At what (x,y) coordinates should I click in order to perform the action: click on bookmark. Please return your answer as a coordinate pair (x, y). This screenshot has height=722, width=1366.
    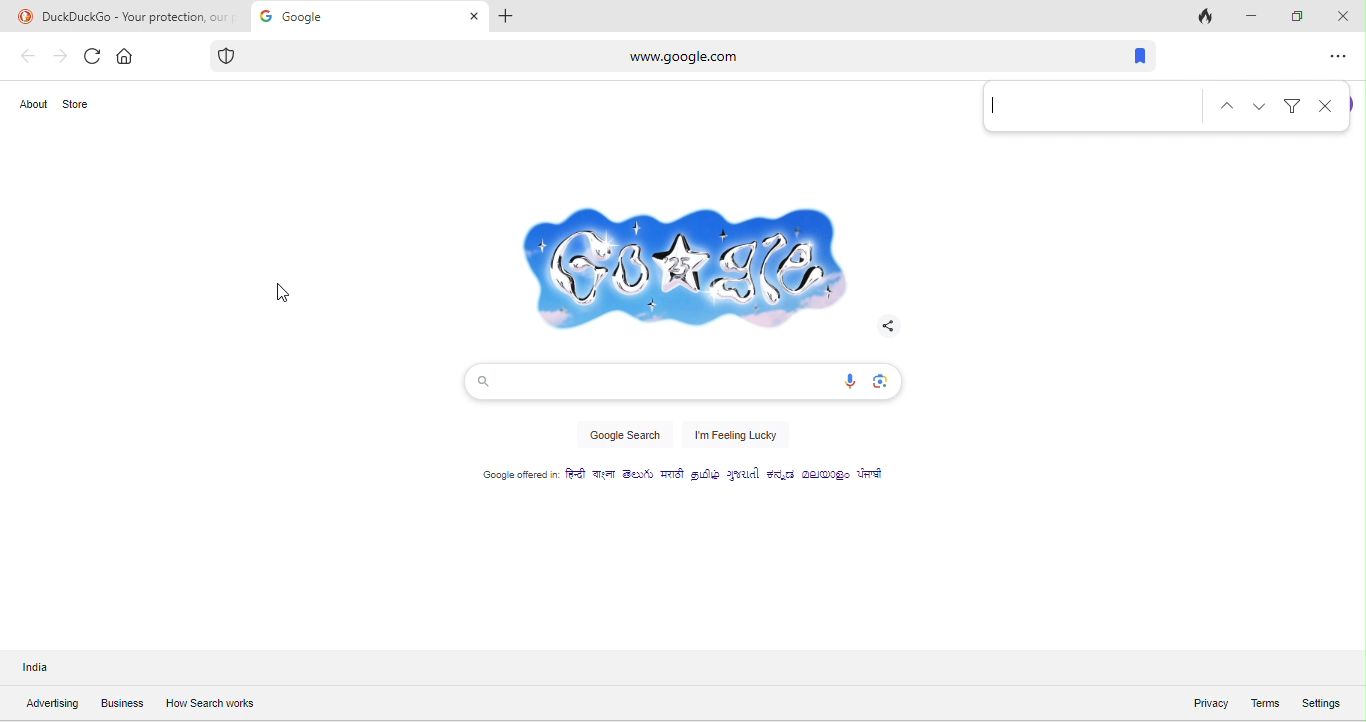
    Looking at the image, I should click on (1134, 56).